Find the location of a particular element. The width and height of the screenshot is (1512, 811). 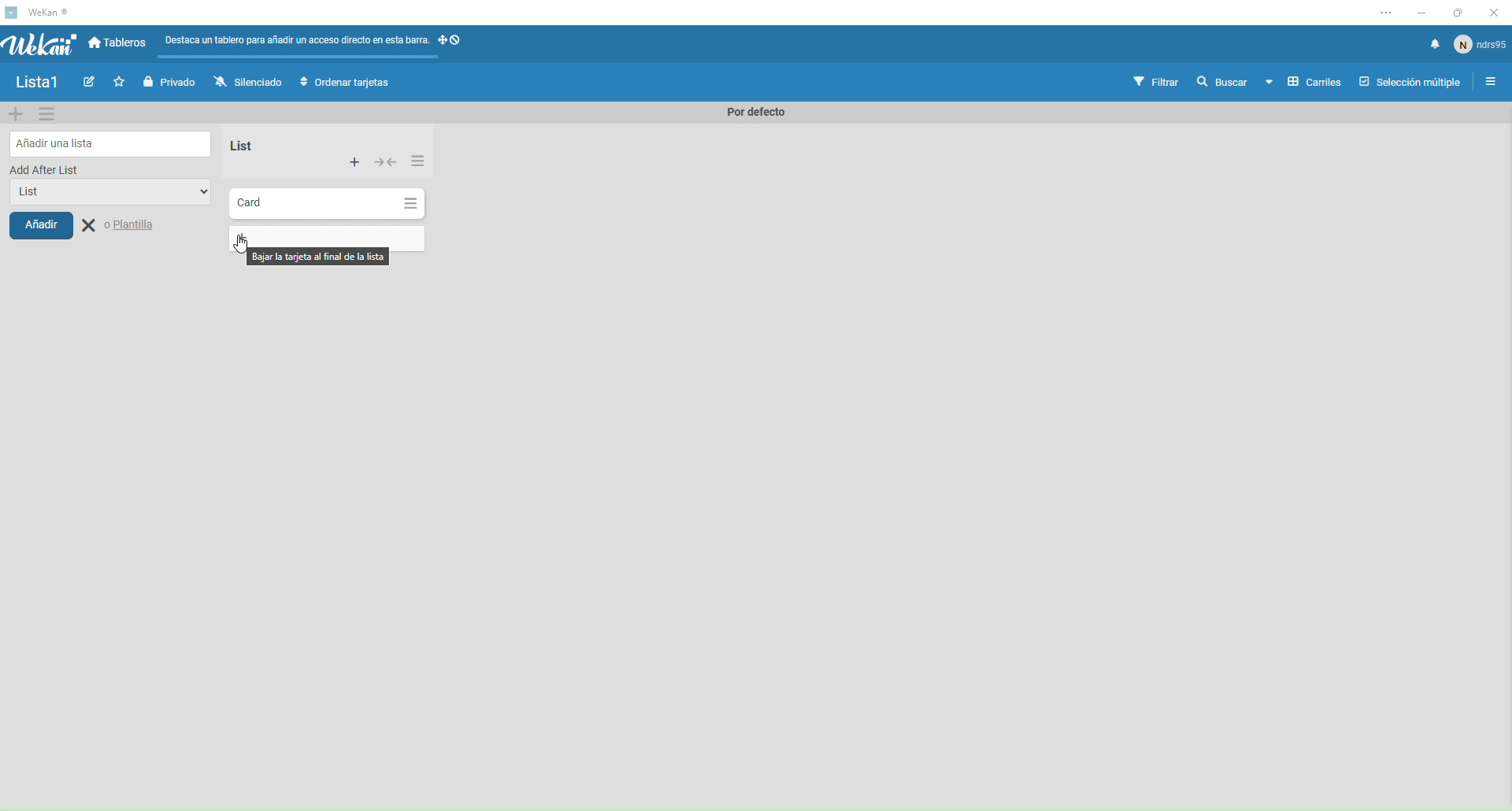

More is located at coordinates (355, 163).